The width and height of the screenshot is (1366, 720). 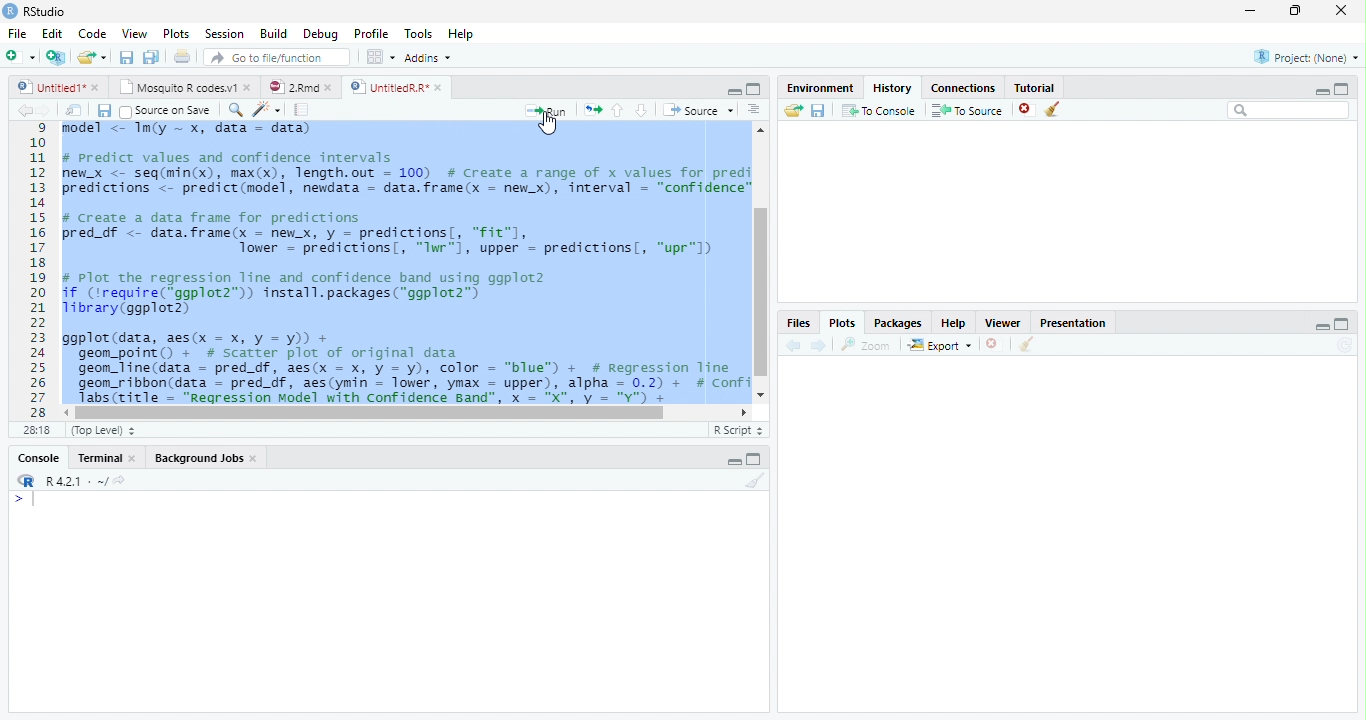 I want to click on #predict values and confidence intervalsew_x <- seq(min(x), max(x), length.out = 100) # Create a range of x values for prediredictions <- predict(model, newdata = data.frame(x = new_x), interval = “confidence”/ Create a data frame for predictionsred_df <- data.frame(x - newx, y = predictions[, "fit"],Tower = predictions, “Iwr"1, upper = predictions, “upr"l)Plot the regression line and confidence band using ggplot2f (irequire(*ggplot2”)) install.packages(“ggplot2”)ibrary(ggplot2)gplot (data, aes(x = x, y = y)) +geom_point() + # scatter plot of original datageon_line(data = pred_df, aes(x = x, y = y), color = “blue”) + # Regression Tinegeom_ribbon(data = pred_df, aes(ymin = lower, ymax = upper), alpha = 0.2) + # ConfiTabs(title = “Regression Model with Confidence Band", x = "X", y = "Y") +SESS(LITIE = WN -, so click(x=404, y=267).